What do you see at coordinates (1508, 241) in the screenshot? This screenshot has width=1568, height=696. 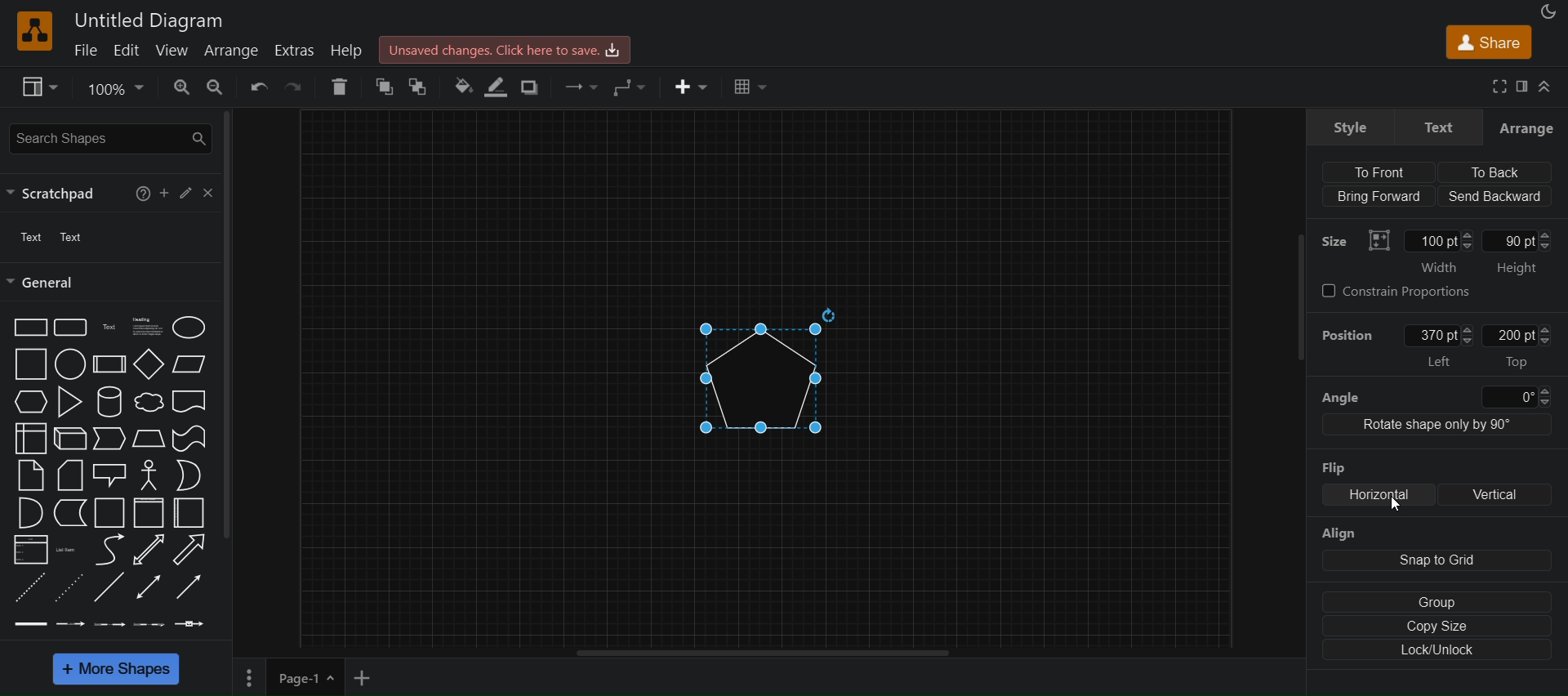 I see `Manually input height` at bounding box center [1508, 241].